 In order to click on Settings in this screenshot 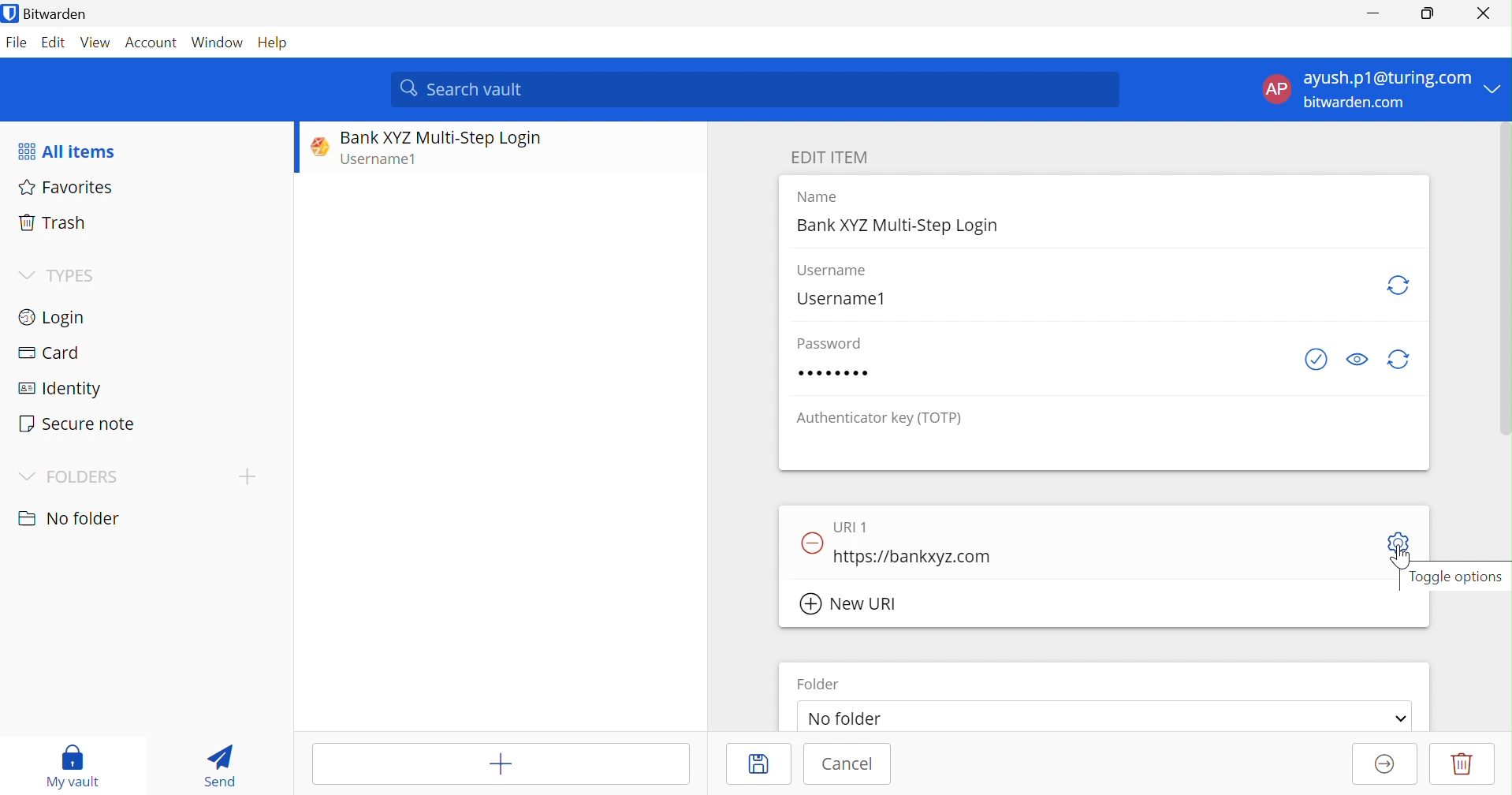, I will do `click(1399, 543)`.